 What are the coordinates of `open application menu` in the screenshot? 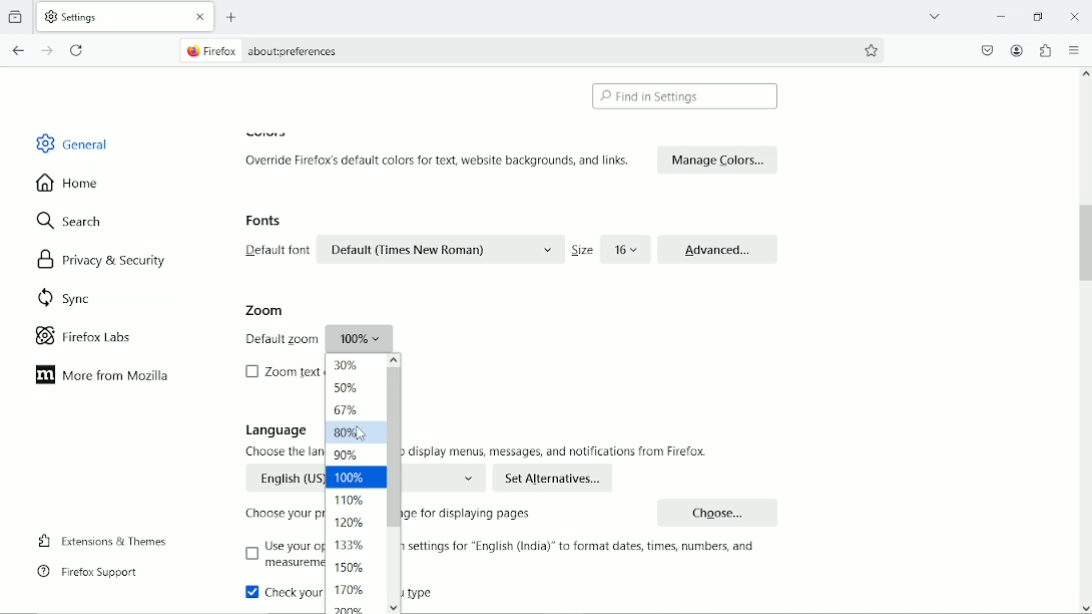 It's located at (1074, 52).